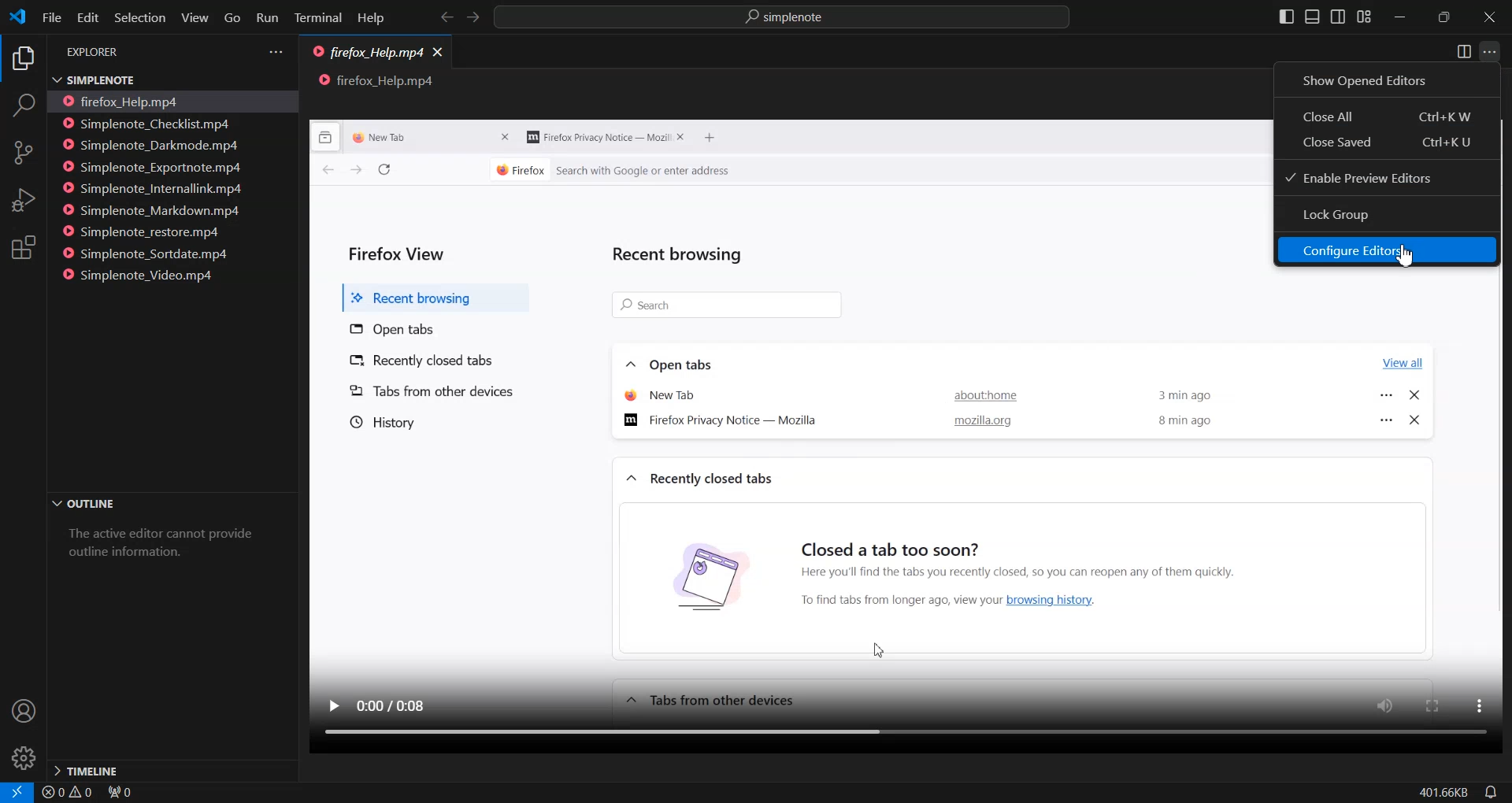 This screenshot has width=1512, height=803. I want to click on close, so click(1414, 398).